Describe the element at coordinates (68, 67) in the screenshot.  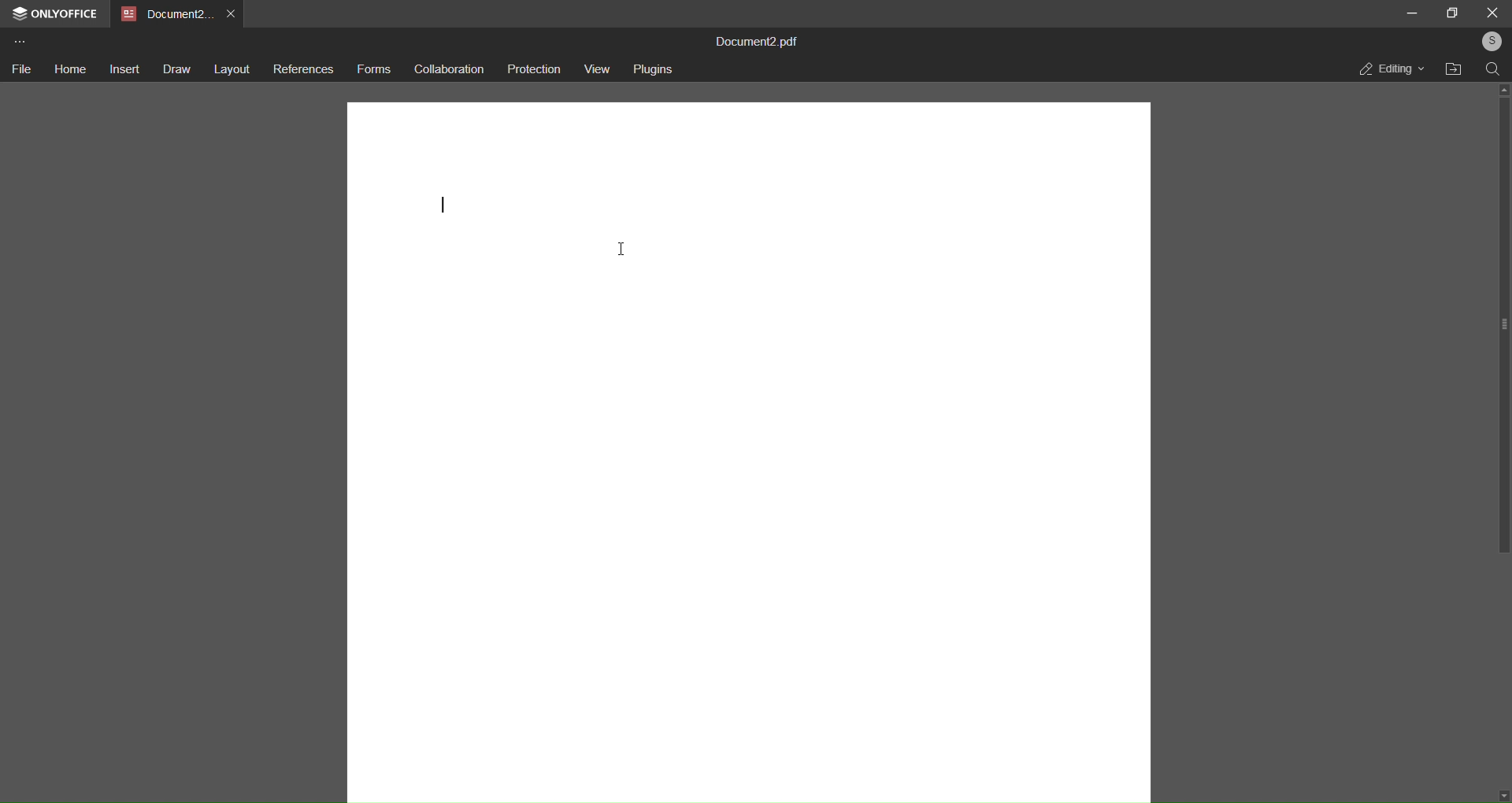
I see `home` at that location.